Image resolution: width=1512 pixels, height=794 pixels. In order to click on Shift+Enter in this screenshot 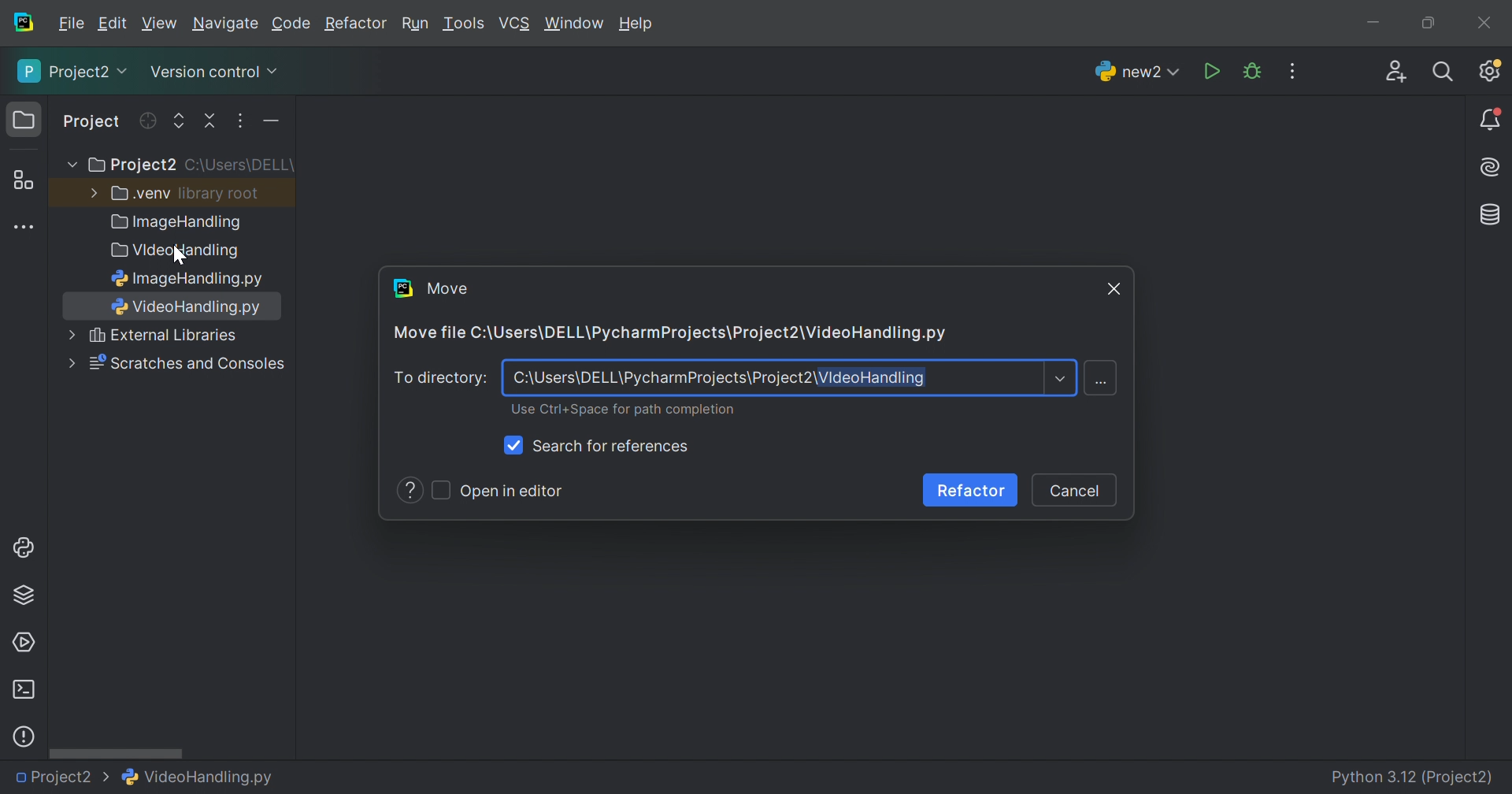, I will do `click(1103, 380)`.